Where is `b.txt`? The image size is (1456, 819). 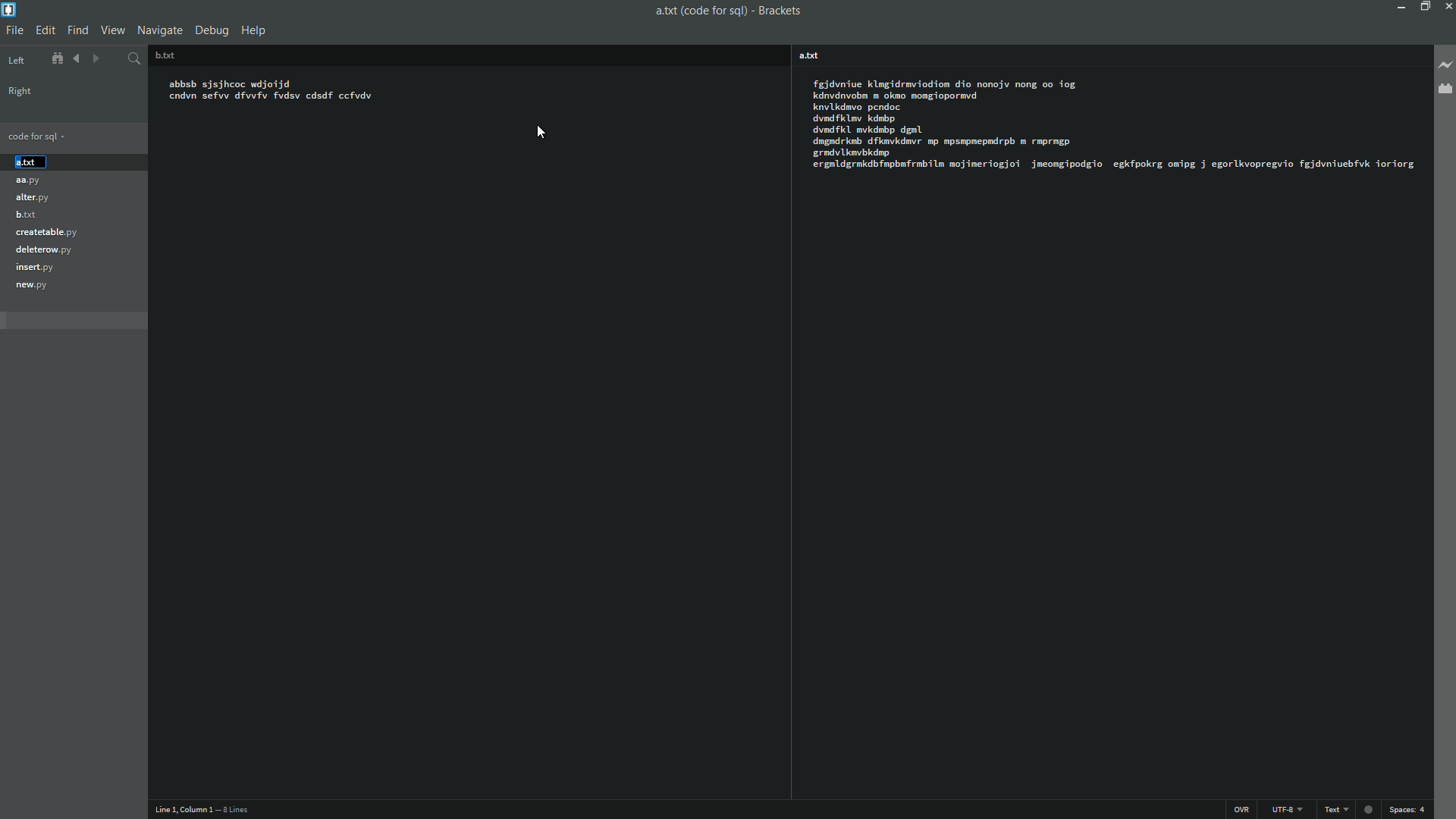 b.txt is located at coordinates (164, 54).